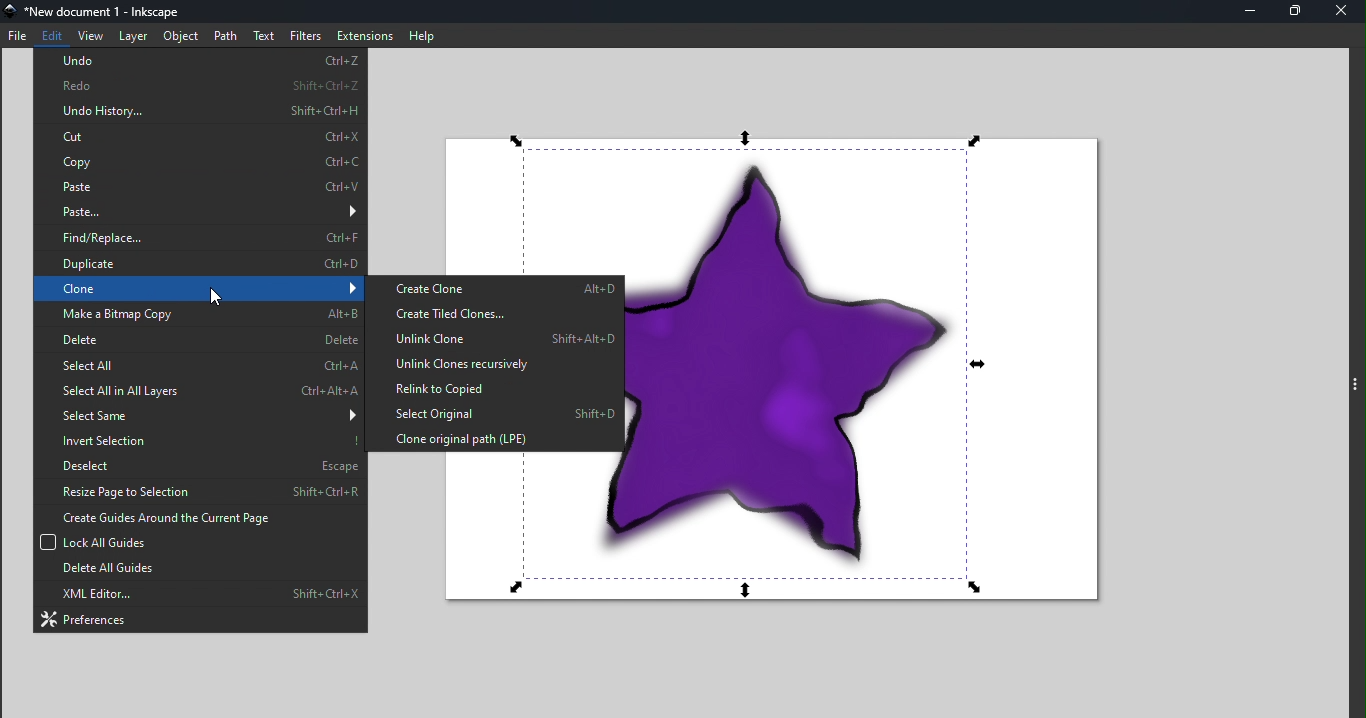 The width and height of the screenshot is (1366, 718). Describe the element at coordinates (196, 391) in the screenshot. I see `Select all in all layers` at that location.